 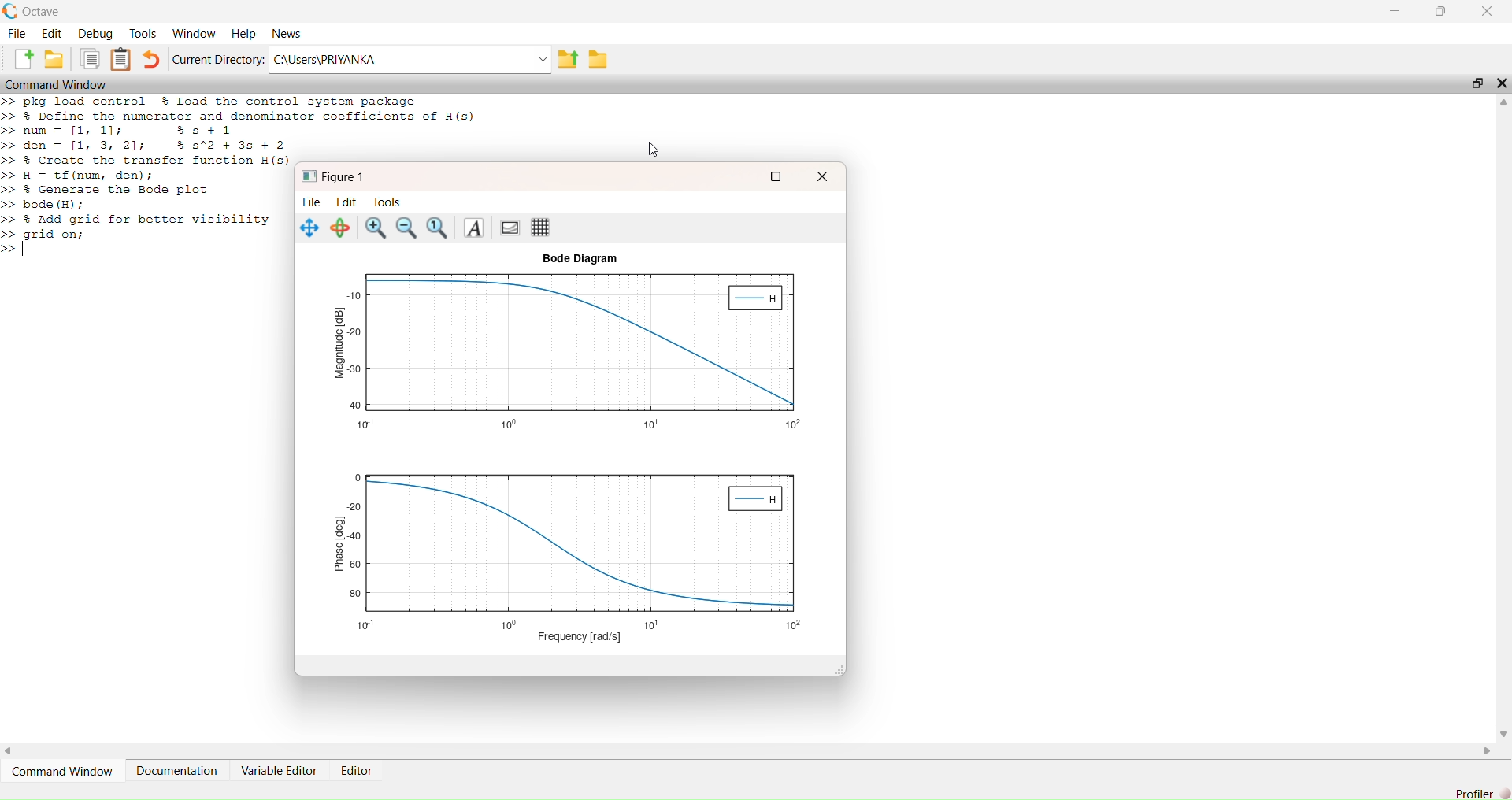 I want to click on Automatic limits for current axes, so click(x=439, y=228).